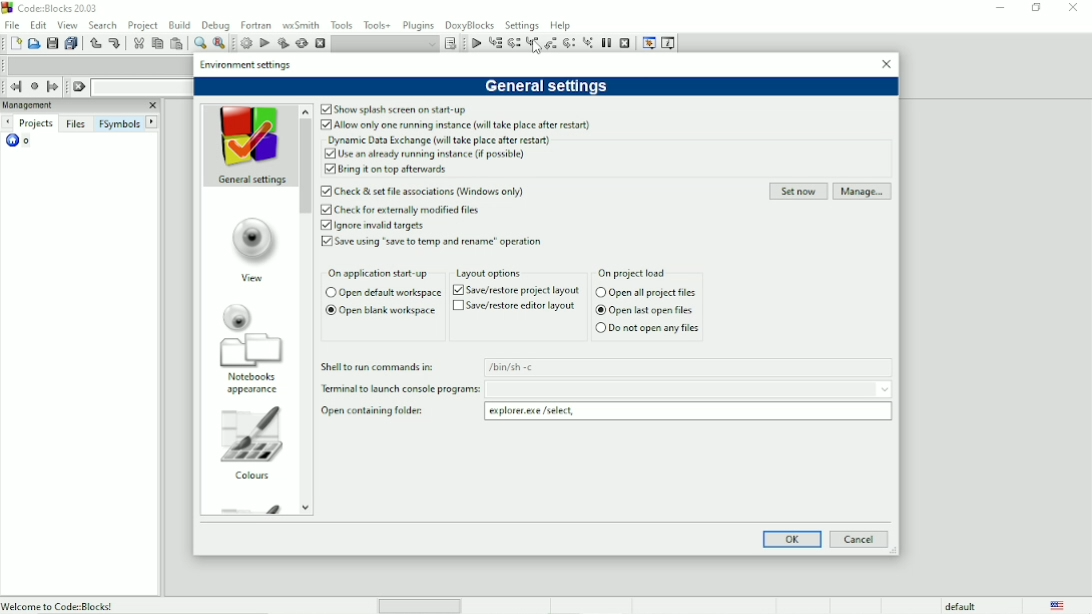  Describe the element at coordinates (513, 307) in the screenshot. I see `Save/Restore editor layout` at that location.